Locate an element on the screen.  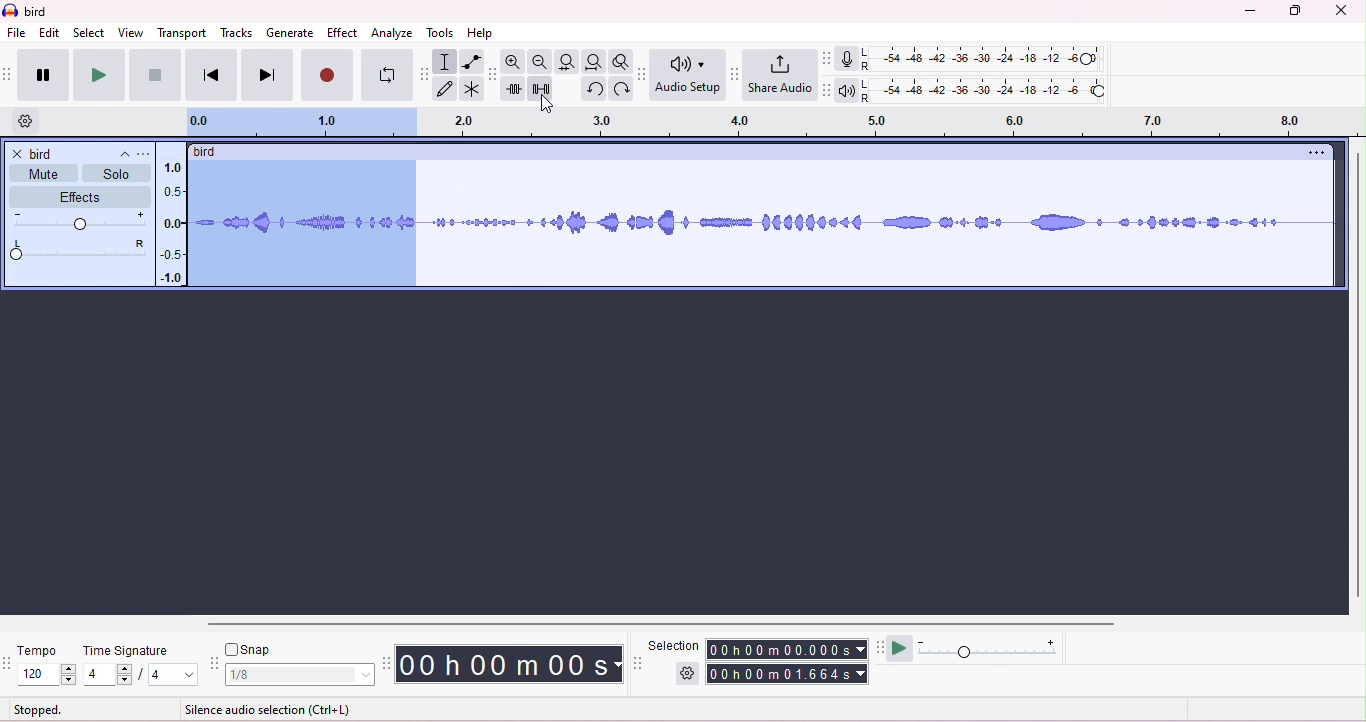
Audio setup is located at coordinates (690, 74).